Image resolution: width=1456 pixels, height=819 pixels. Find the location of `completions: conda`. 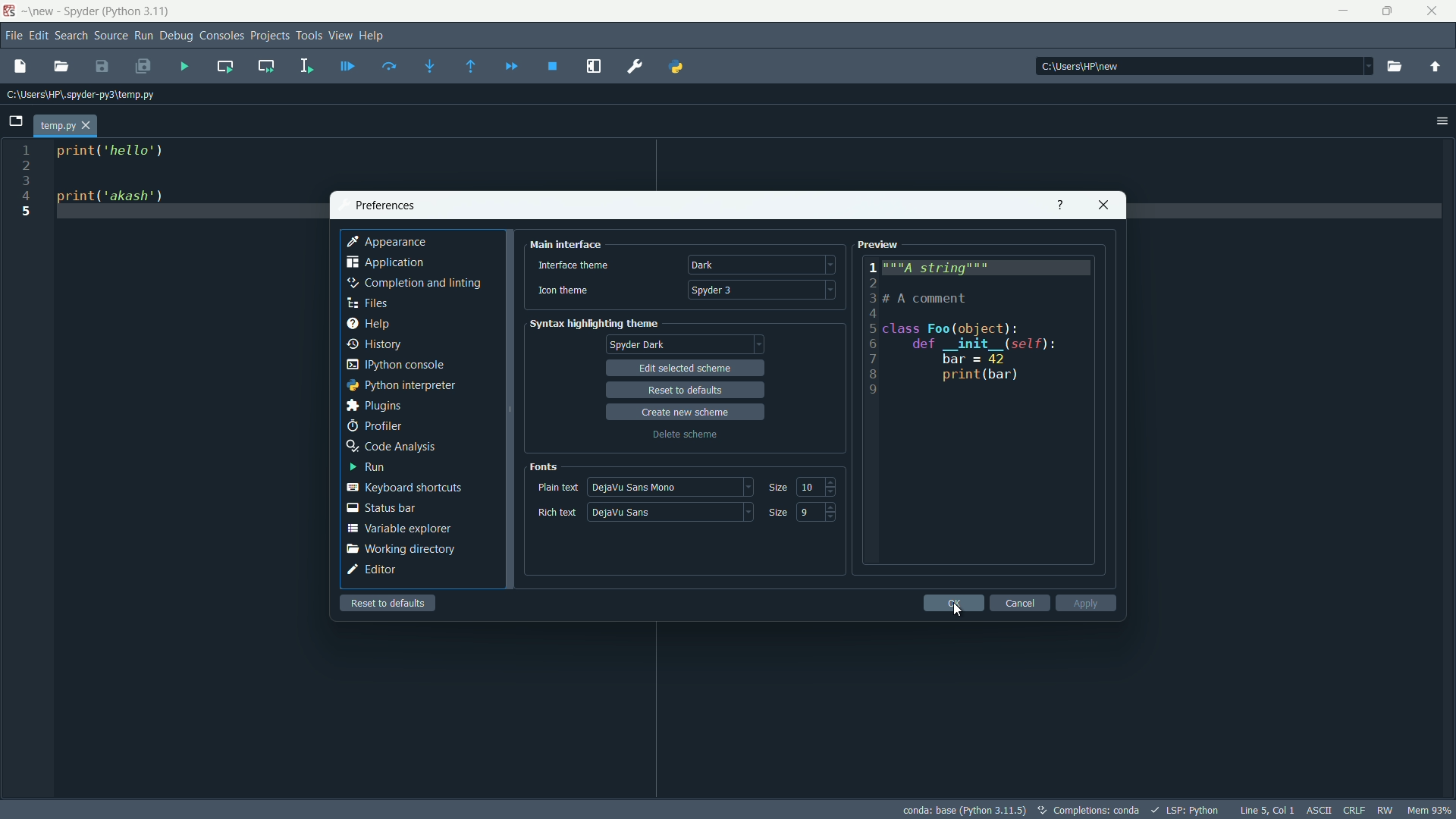

completions: conda is located at coordinates (1087, 809).